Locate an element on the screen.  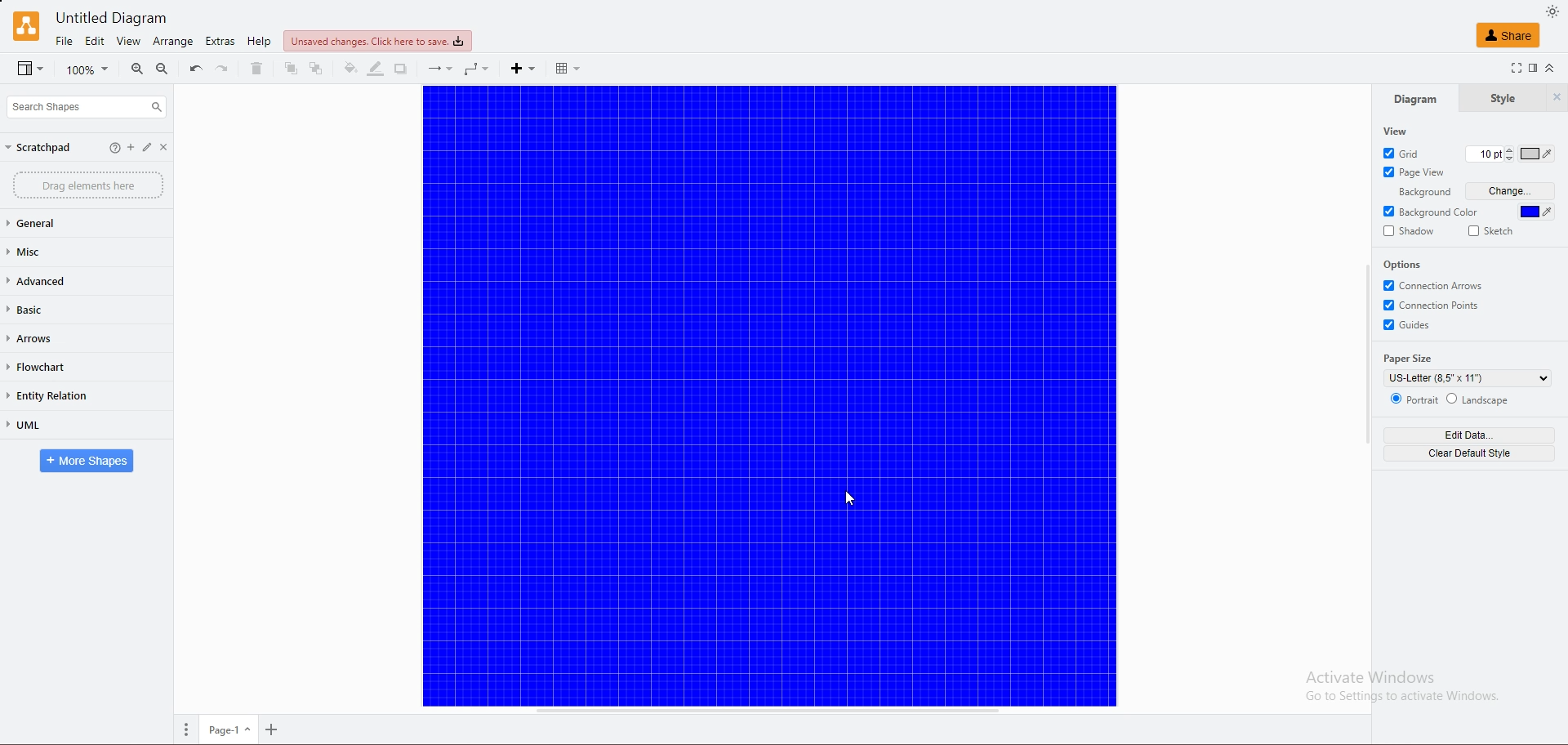
more shapes is located at coordinates (87, 462).